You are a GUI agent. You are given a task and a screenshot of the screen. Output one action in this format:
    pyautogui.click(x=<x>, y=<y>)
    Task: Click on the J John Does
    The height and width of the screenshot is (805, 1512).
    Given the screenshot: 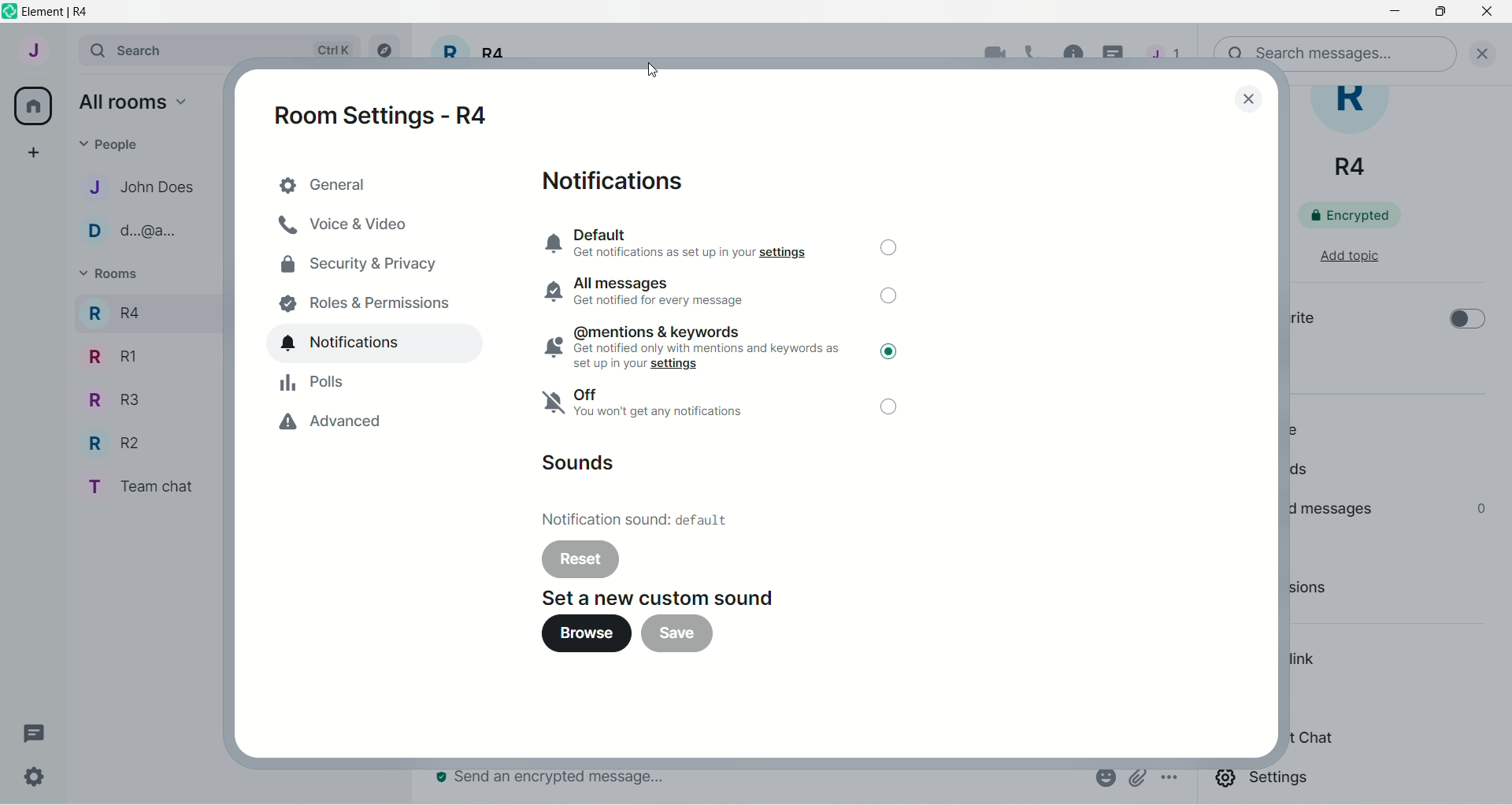 What is the action you would take?
    pyautogui.click(x=127, y=187)
    